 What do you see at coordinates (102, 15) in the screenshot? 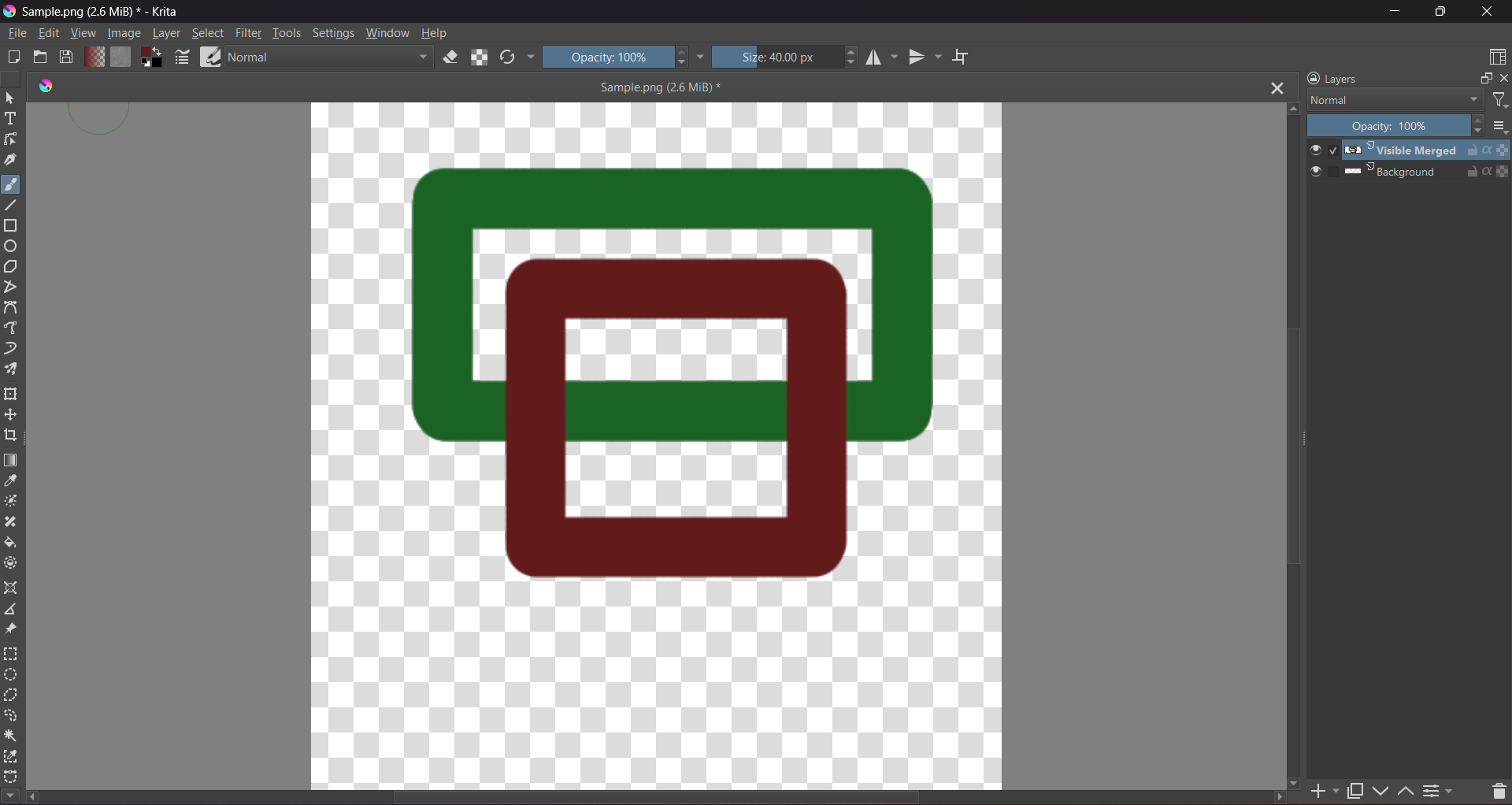
I see `Sample.png (3.6 MB)* - Krita` at bounding box center [102, 15].